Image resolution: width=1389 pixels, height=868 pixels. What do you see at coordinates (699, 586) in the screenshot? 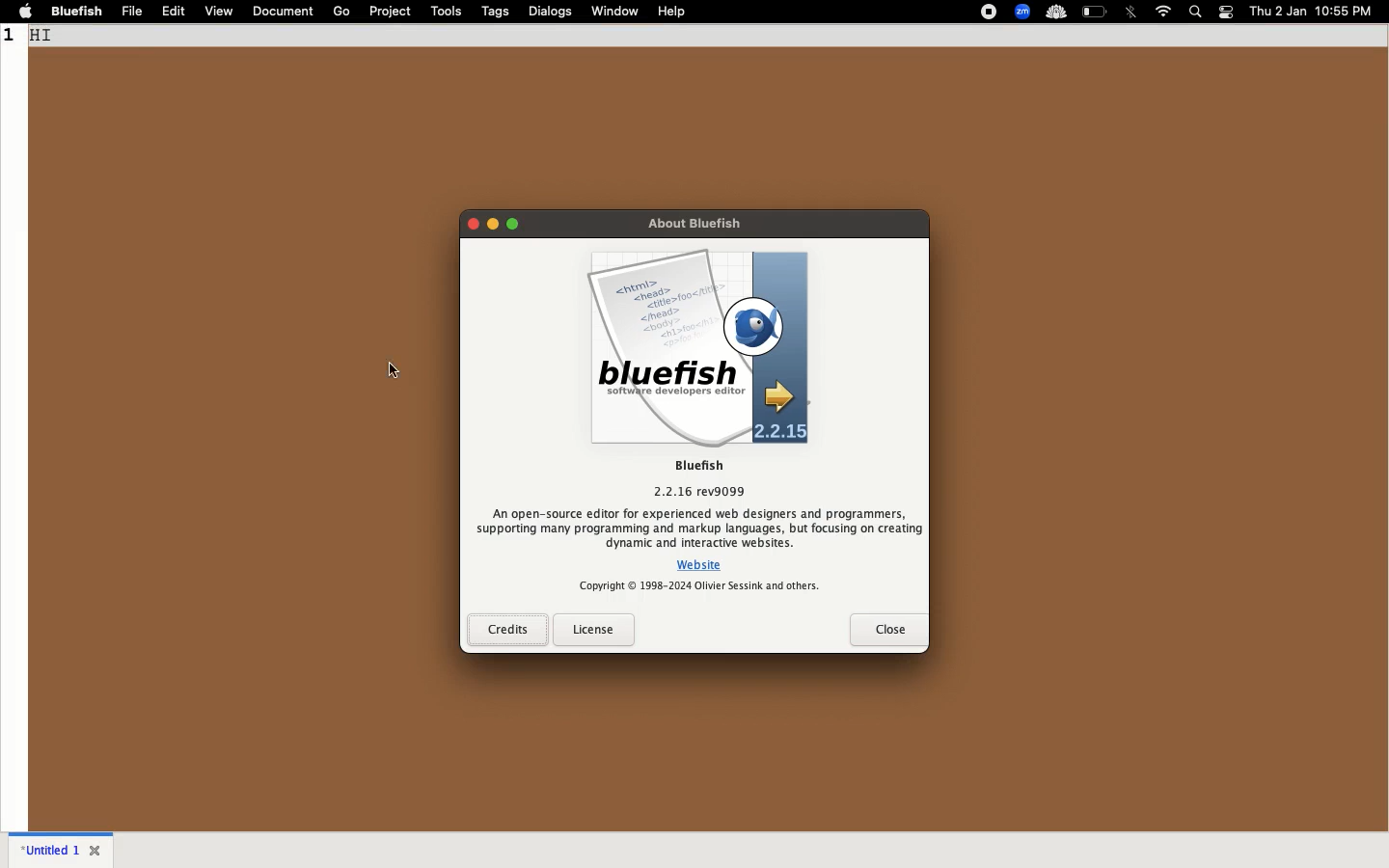
I see `copyright` at bounding box center [699, 586].